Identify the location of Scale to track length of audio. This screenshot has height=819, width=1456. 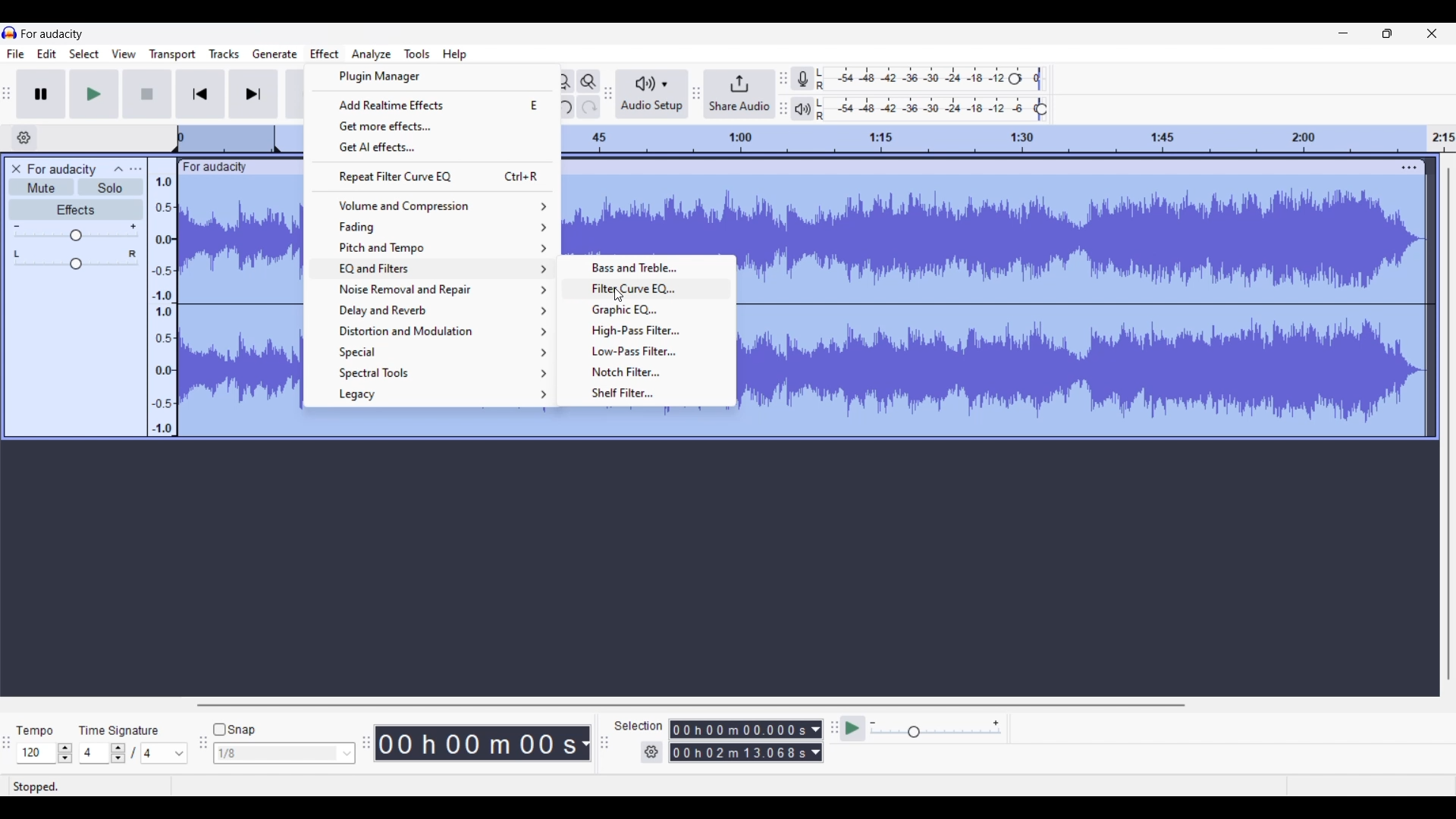
(238, 138).